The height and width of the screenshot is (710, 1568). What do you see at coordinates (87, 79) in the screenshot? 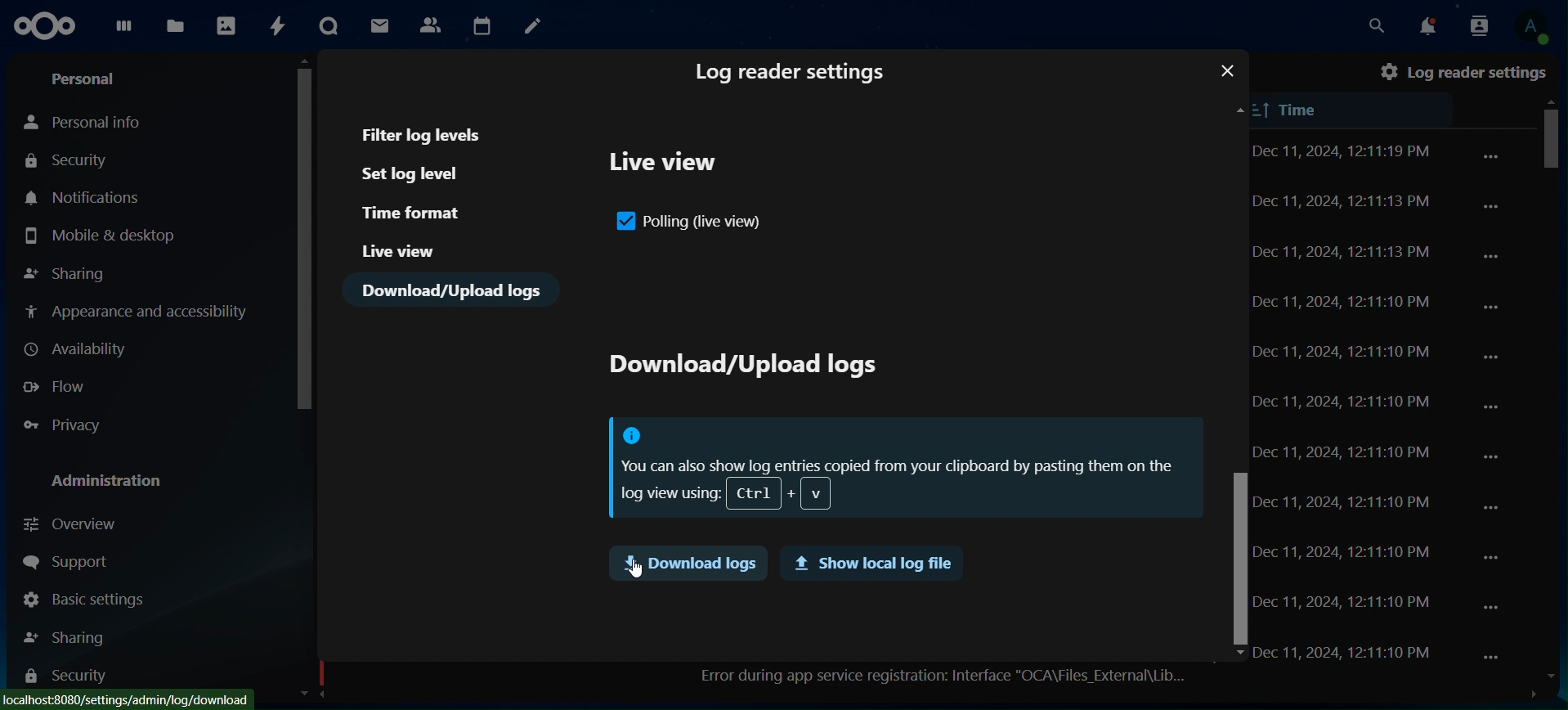
I see `personal` at bounding box center [87, 79].